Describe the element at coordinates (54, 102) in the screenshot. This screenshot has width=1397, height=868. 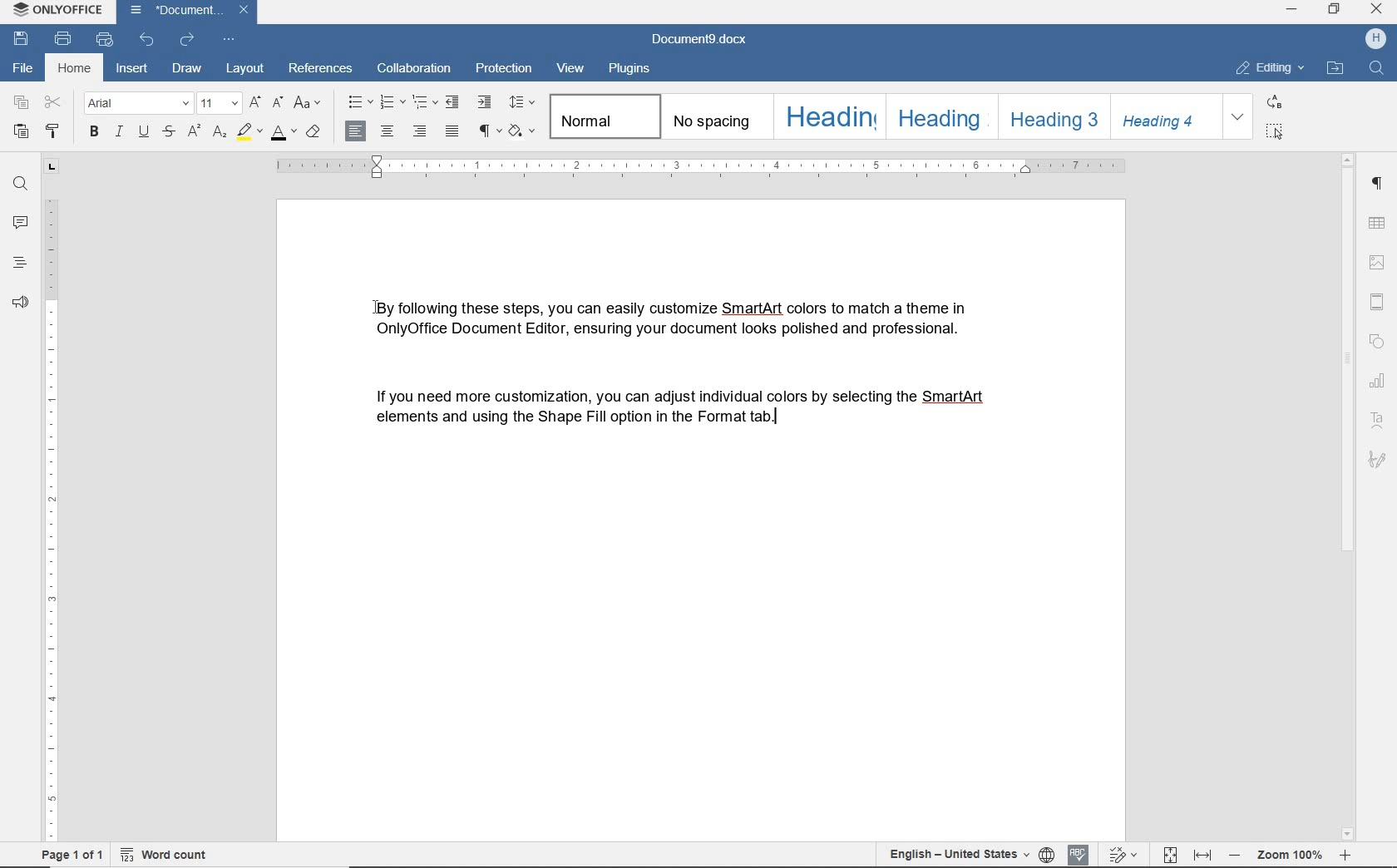
I see `cut` at that location.